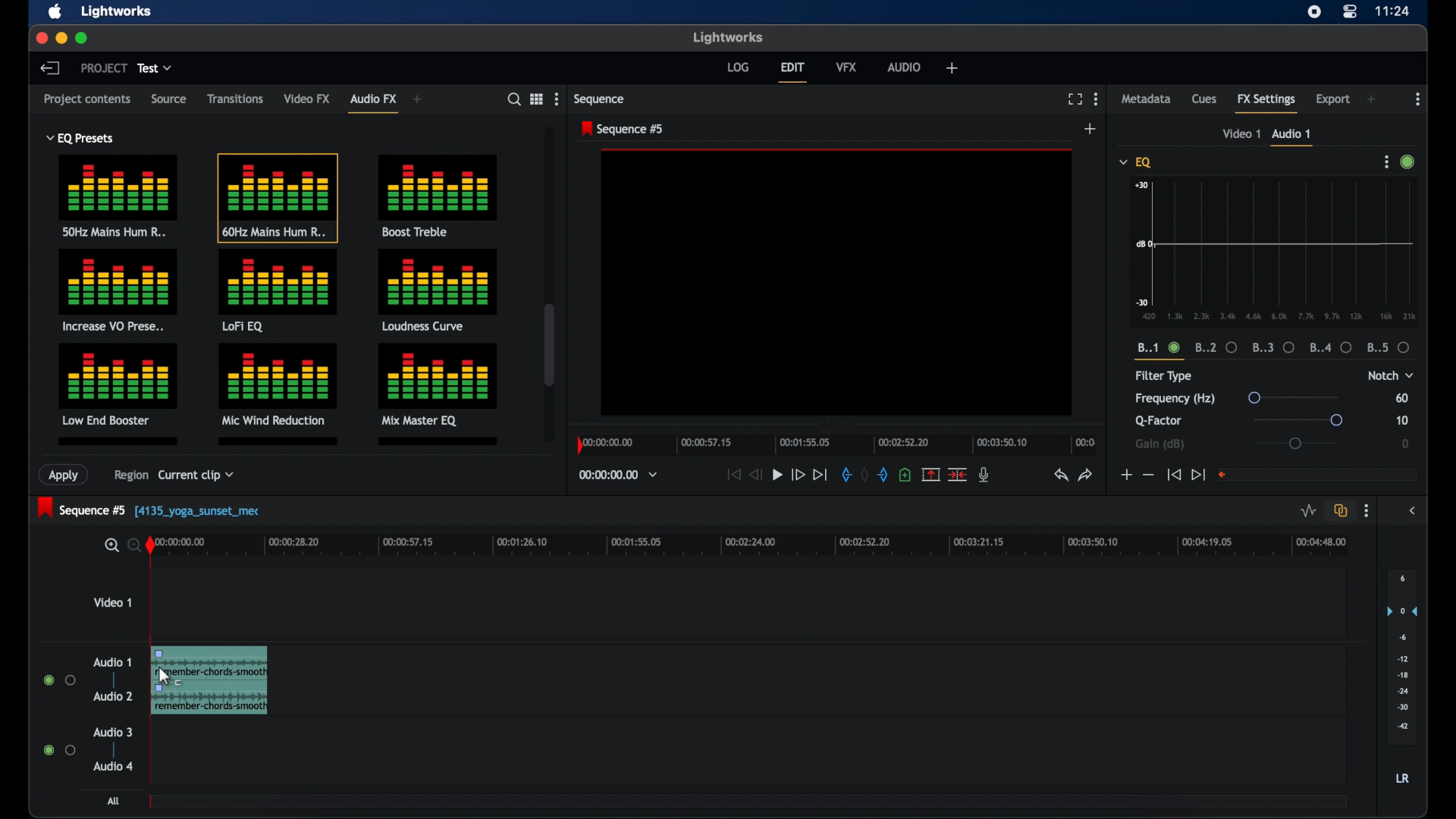 The image size is (1456, 819). What do you see at coordinates (1406, 444) in the screenshot?
I see `0` at bounding box center [1406, 444].